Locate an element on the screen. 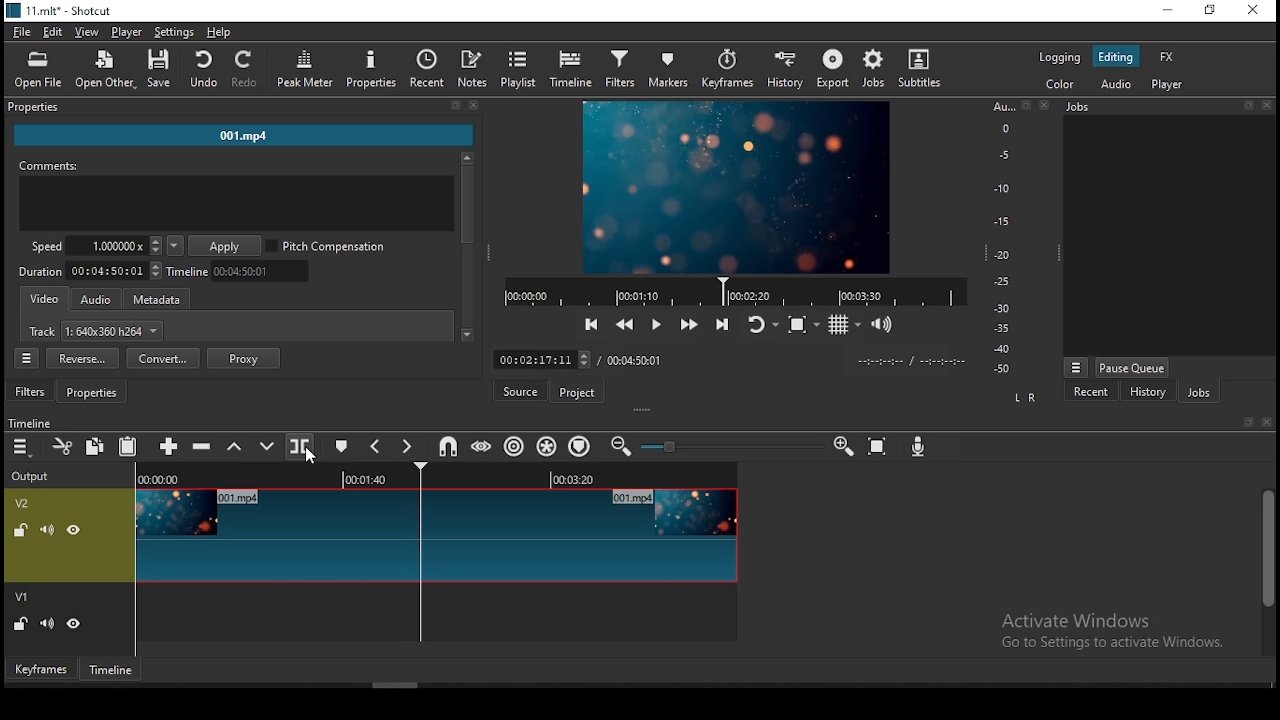 The image size is (1280, 720). cursor is located at coordinates (312, 457).